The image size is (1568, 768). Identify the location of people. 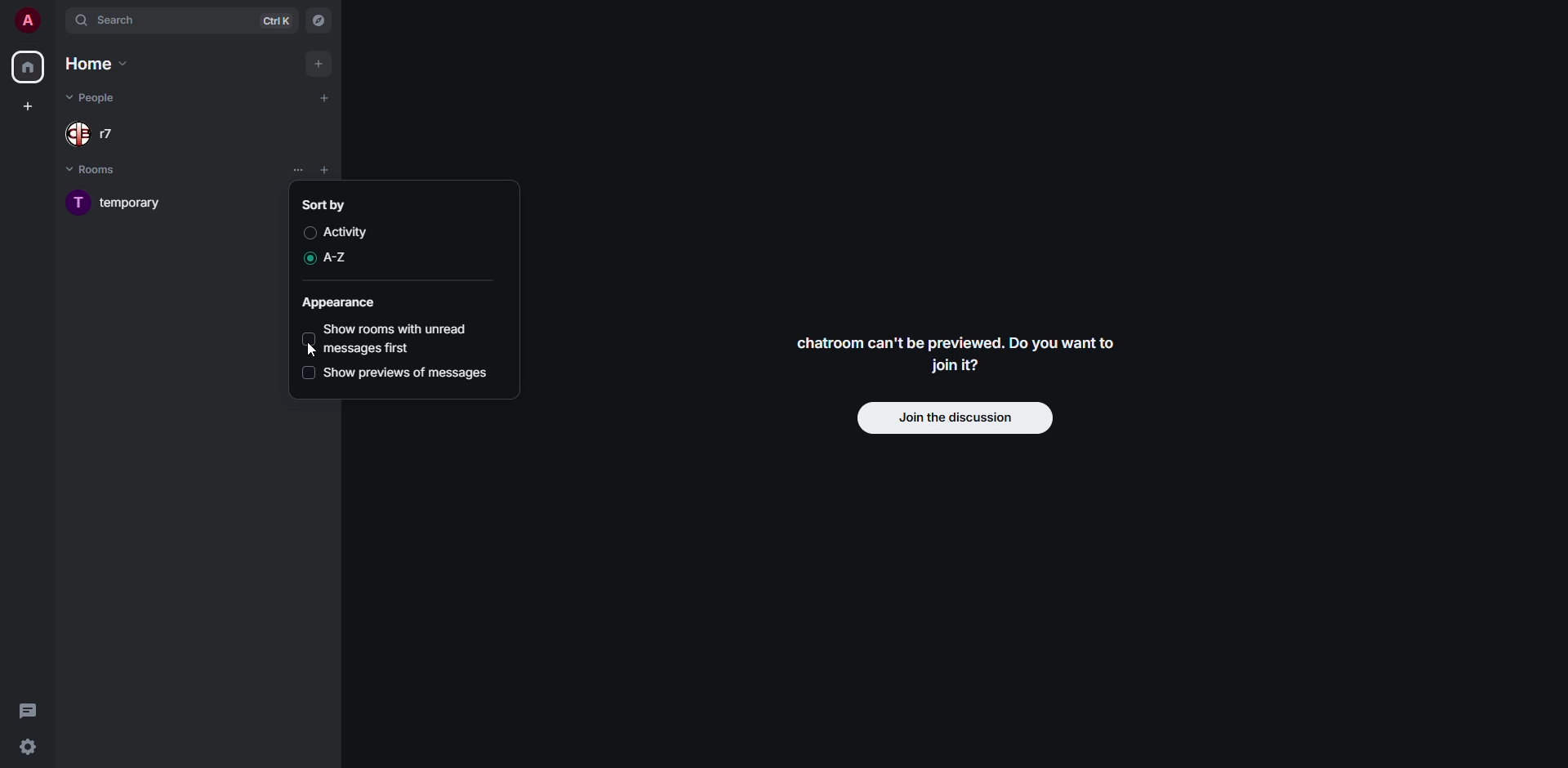
(96, 135).